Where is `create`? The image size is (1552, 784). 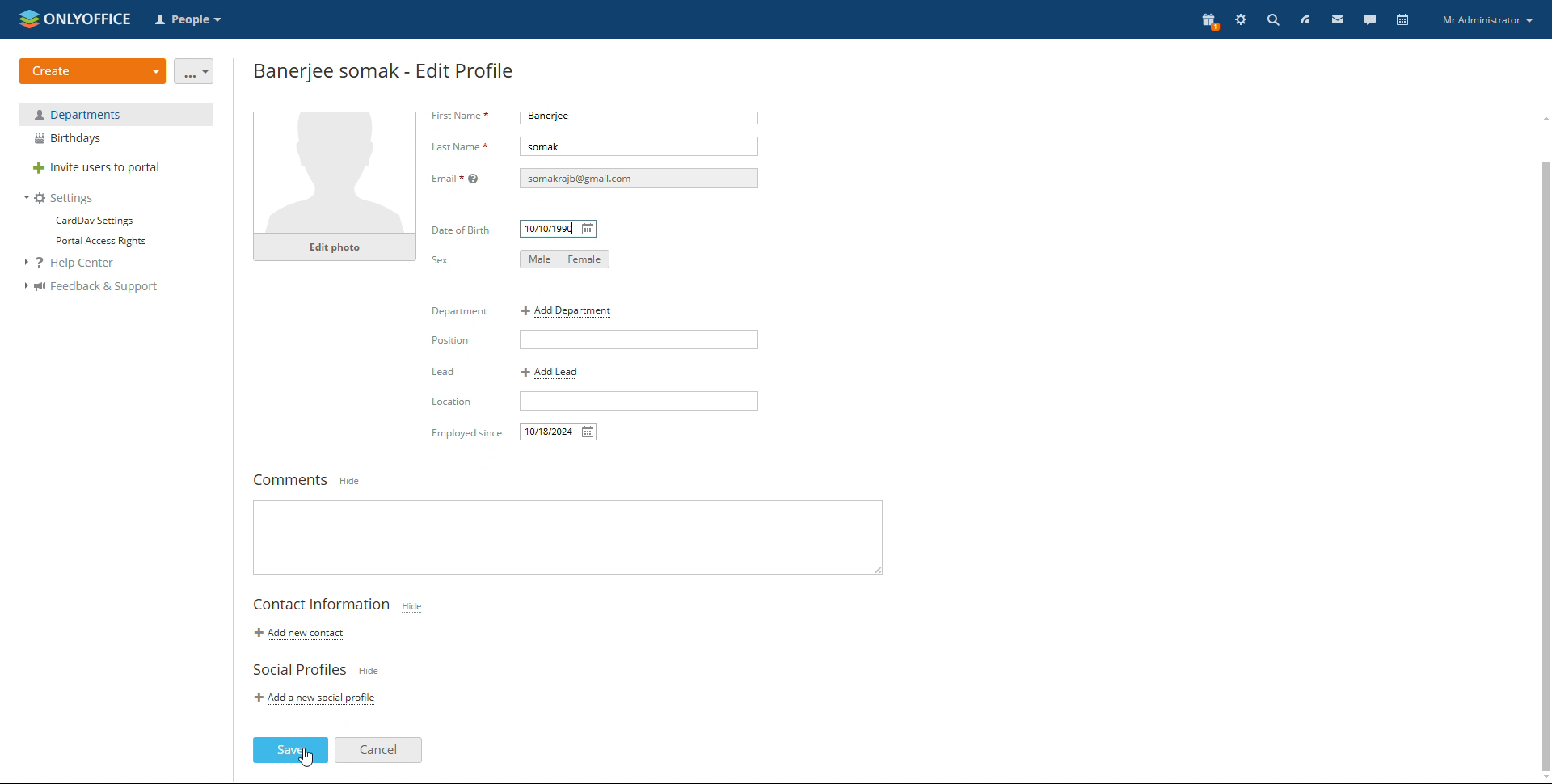
create is located at coordinates (93, 71).